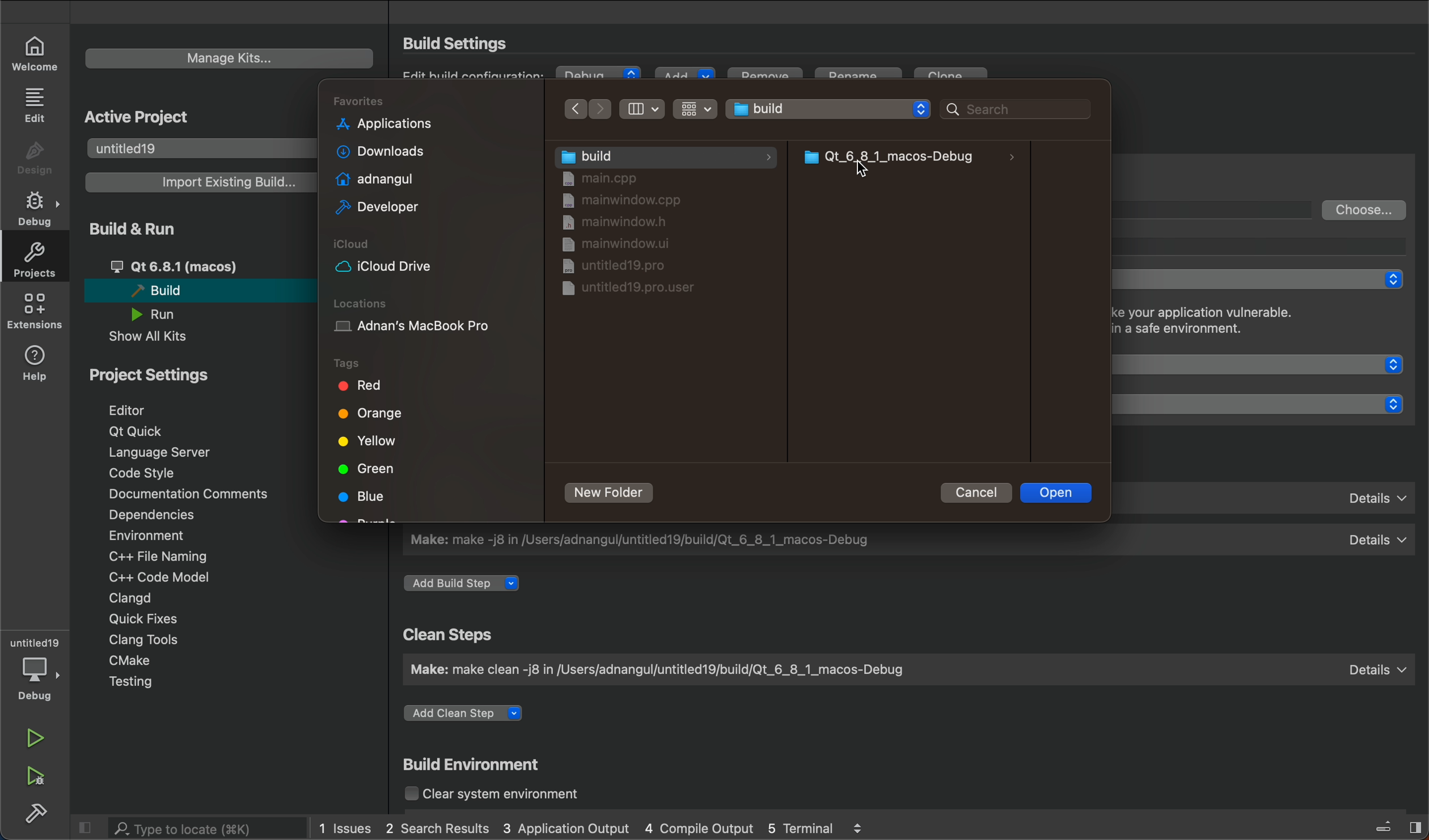 This screenshot has height=840, width=1429. Describe the element at coordinates (195, 828) in the screenshot. I see `search` at that location.